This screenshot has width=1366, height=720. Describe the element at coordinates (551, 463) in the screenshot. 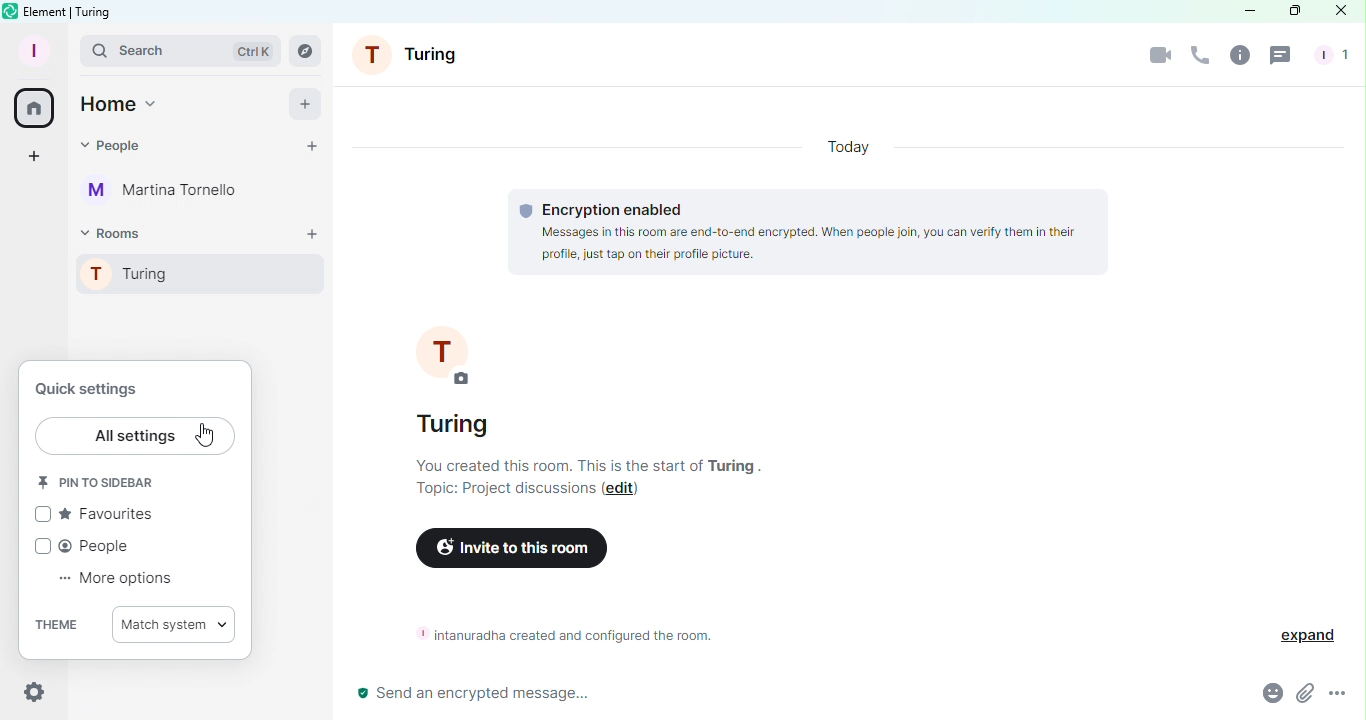

I see `you created this room. this is the start of` at that location.